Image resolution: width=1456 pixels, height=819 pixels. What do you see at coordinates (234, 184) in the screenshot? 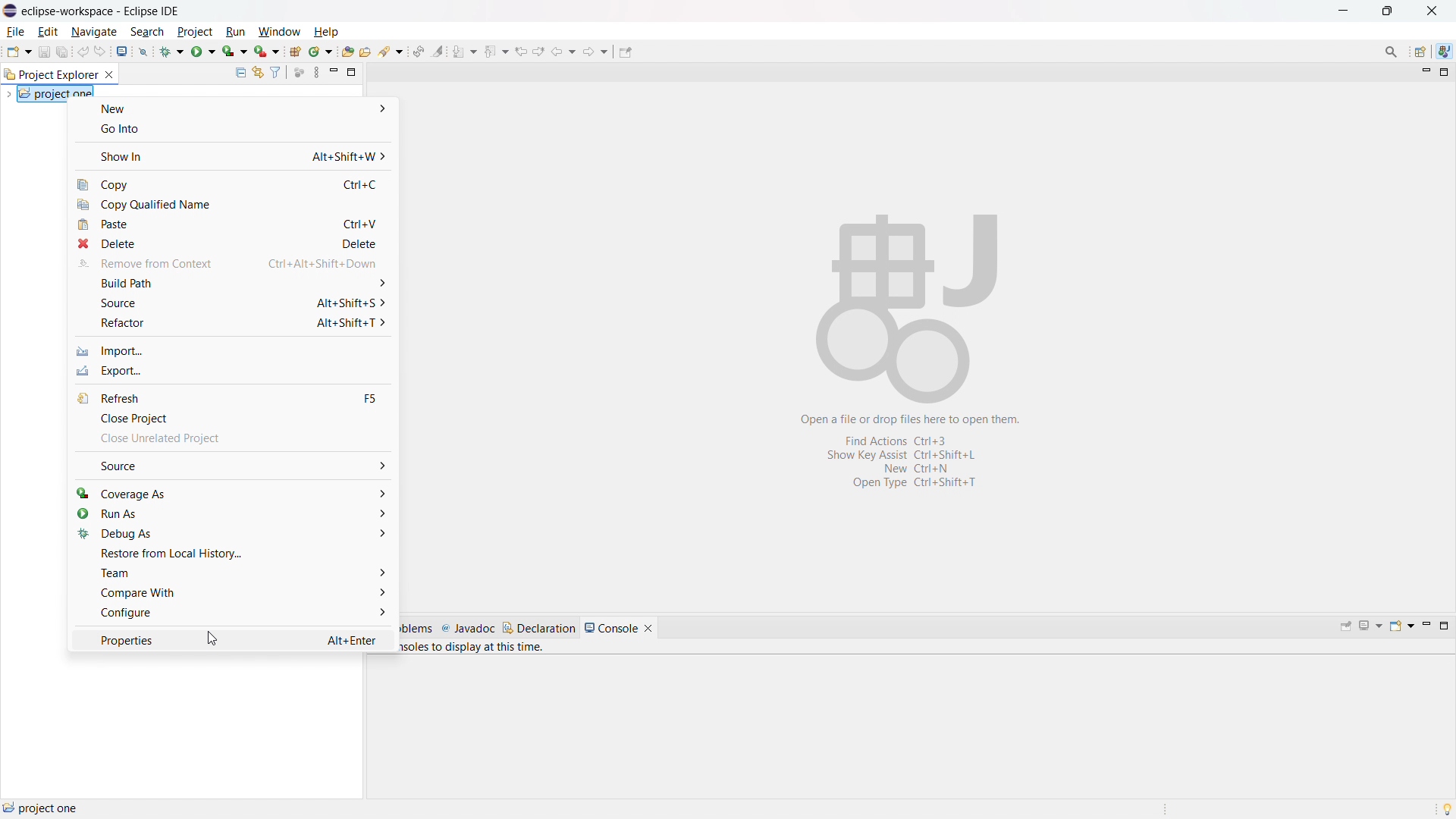
I see `copy` at bounding box center [234, 184].